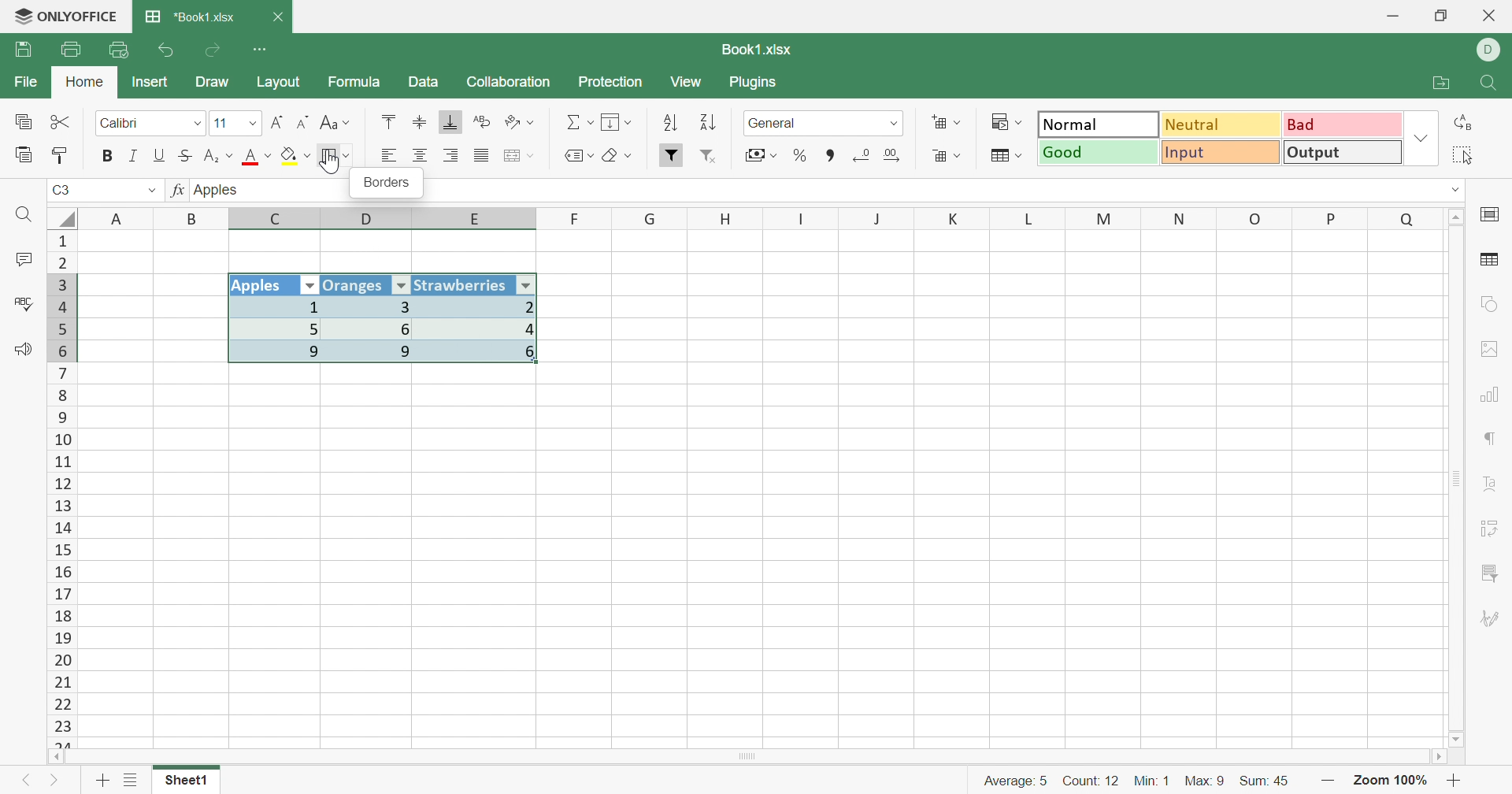 The height and width of the screenshot is (794, 1512). I want to click on Previous, so click(24, 784).